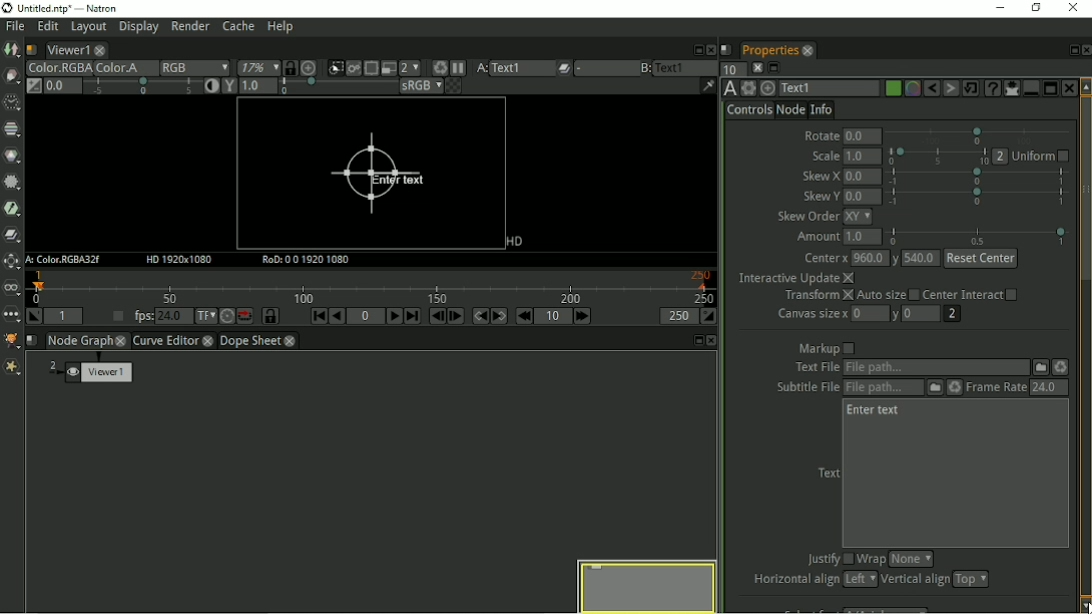 This screenshot has width=1092, height=614. Describe the element at coordinates (829, 87) in the screenshot. I see `Text1` at that location.